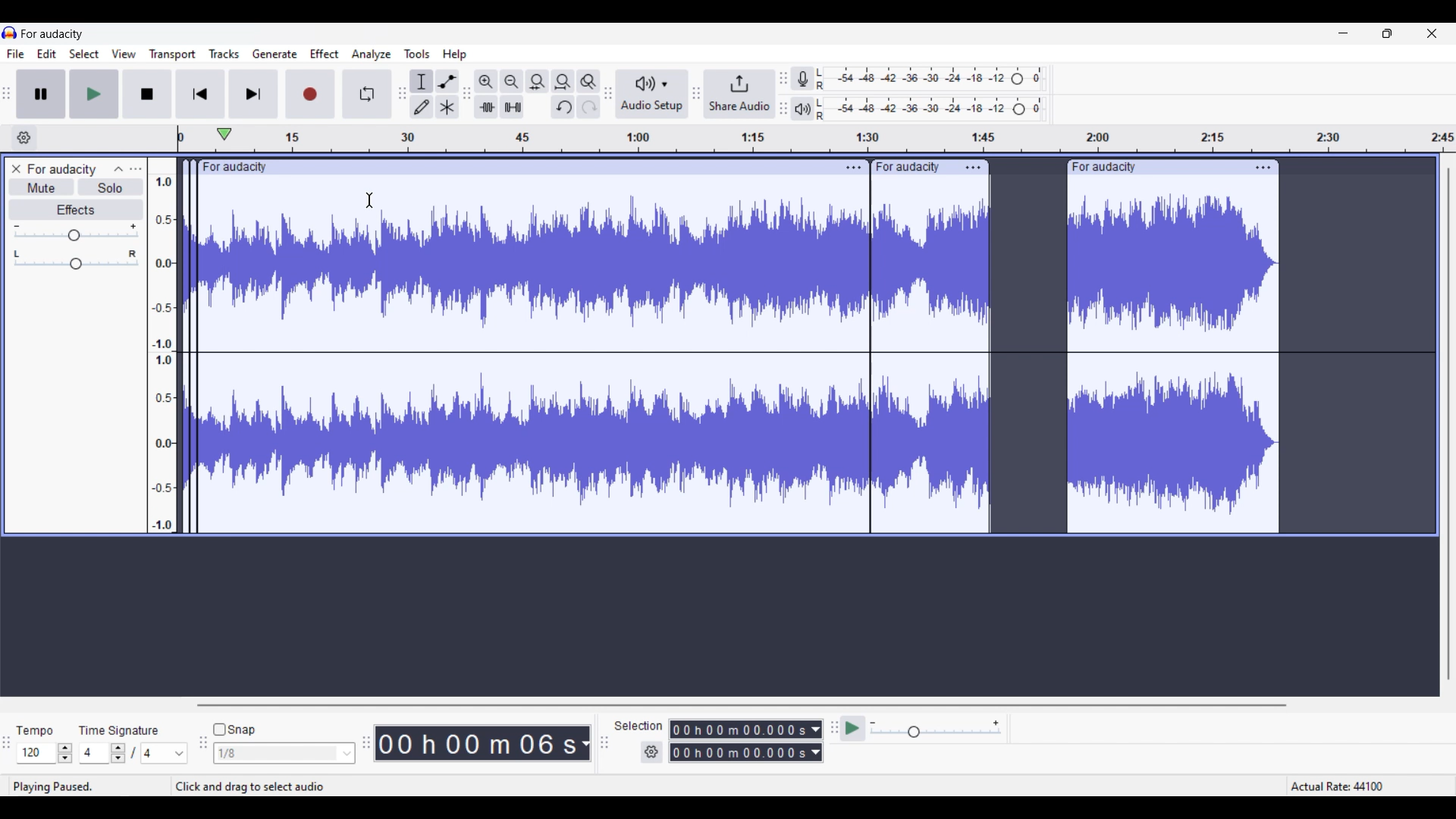 The image size is (1456, 819). What do you see at coordinates (811, 138) in the screenshot?
I see `Scale to see track length` at bounding box center [811, 138].